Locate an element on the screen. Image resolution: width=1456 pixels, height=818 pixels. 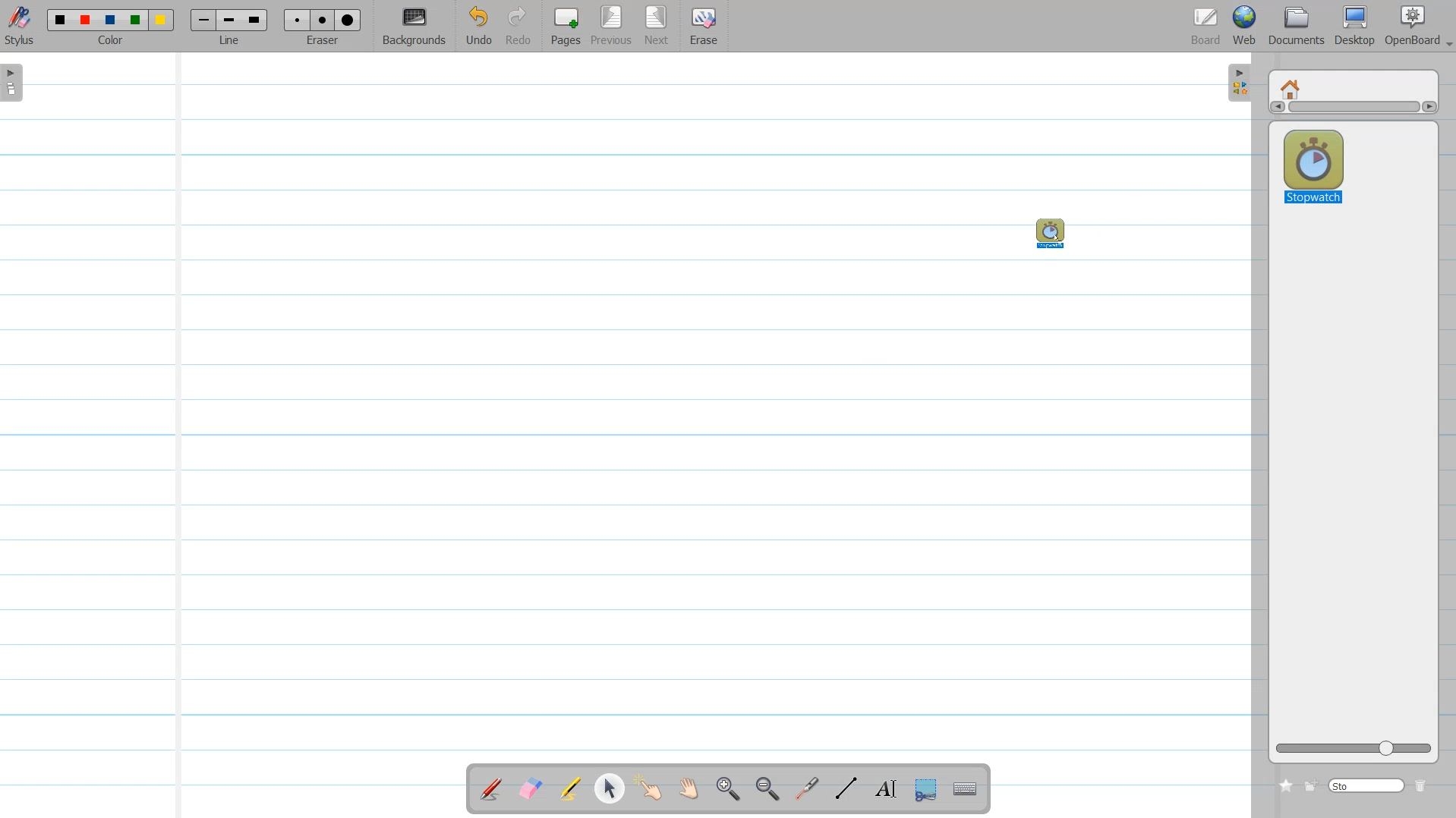
Annotate a Document  is located at coordinates (491, 788).